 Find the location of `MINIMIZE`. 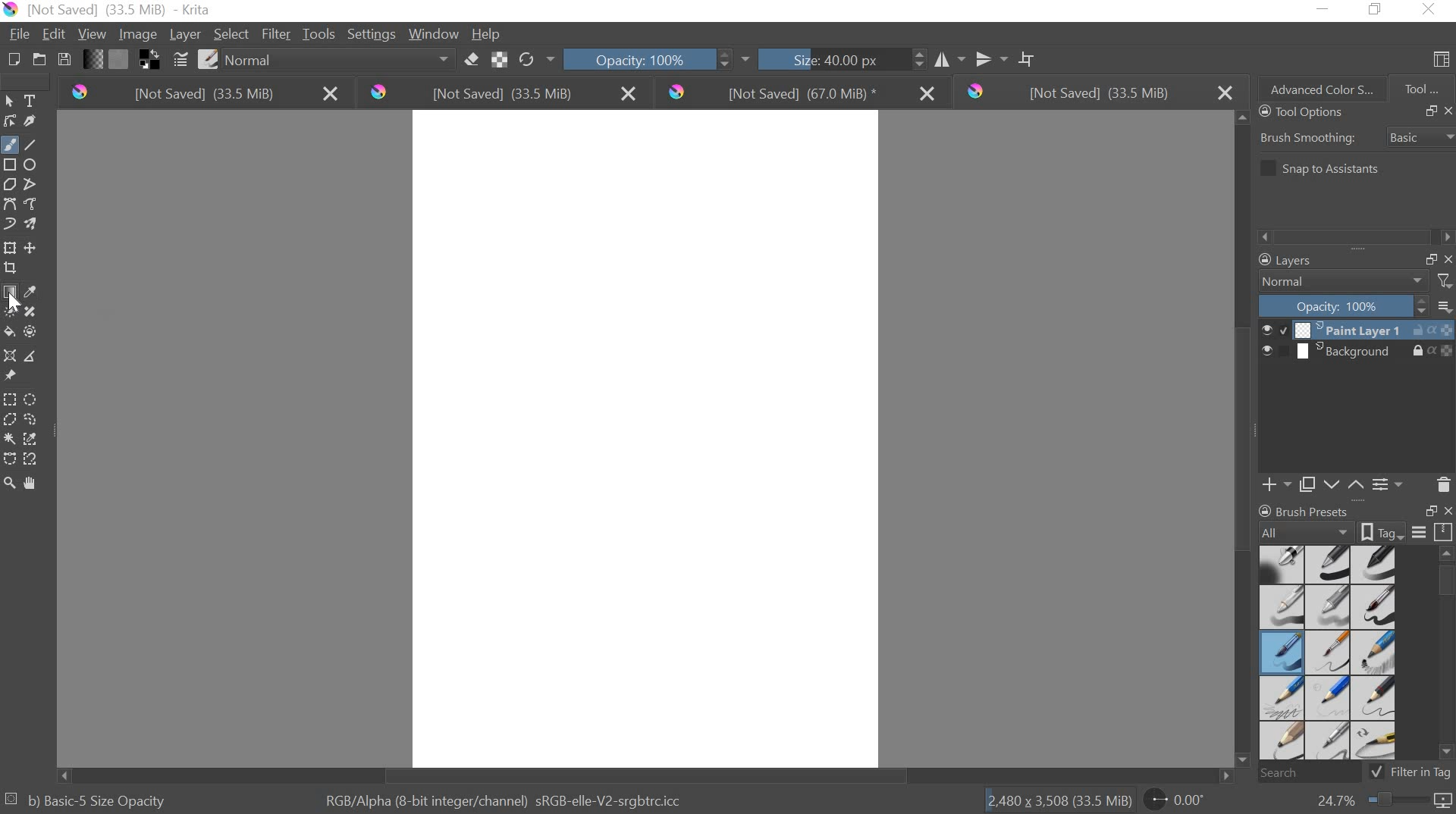

MINIMIZE is located at coordinates (1324, 7).